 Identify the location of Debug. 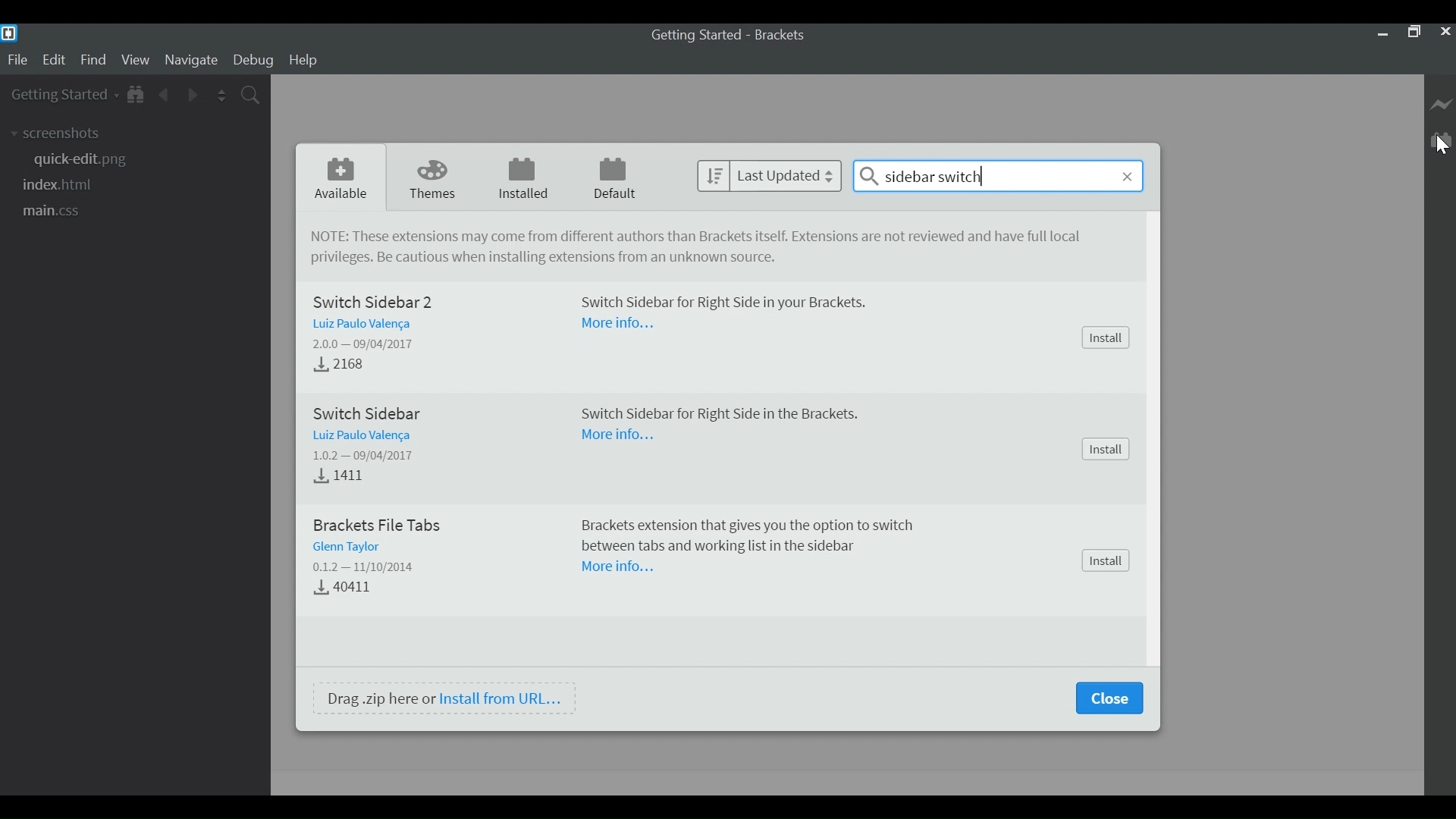
(254, 61).